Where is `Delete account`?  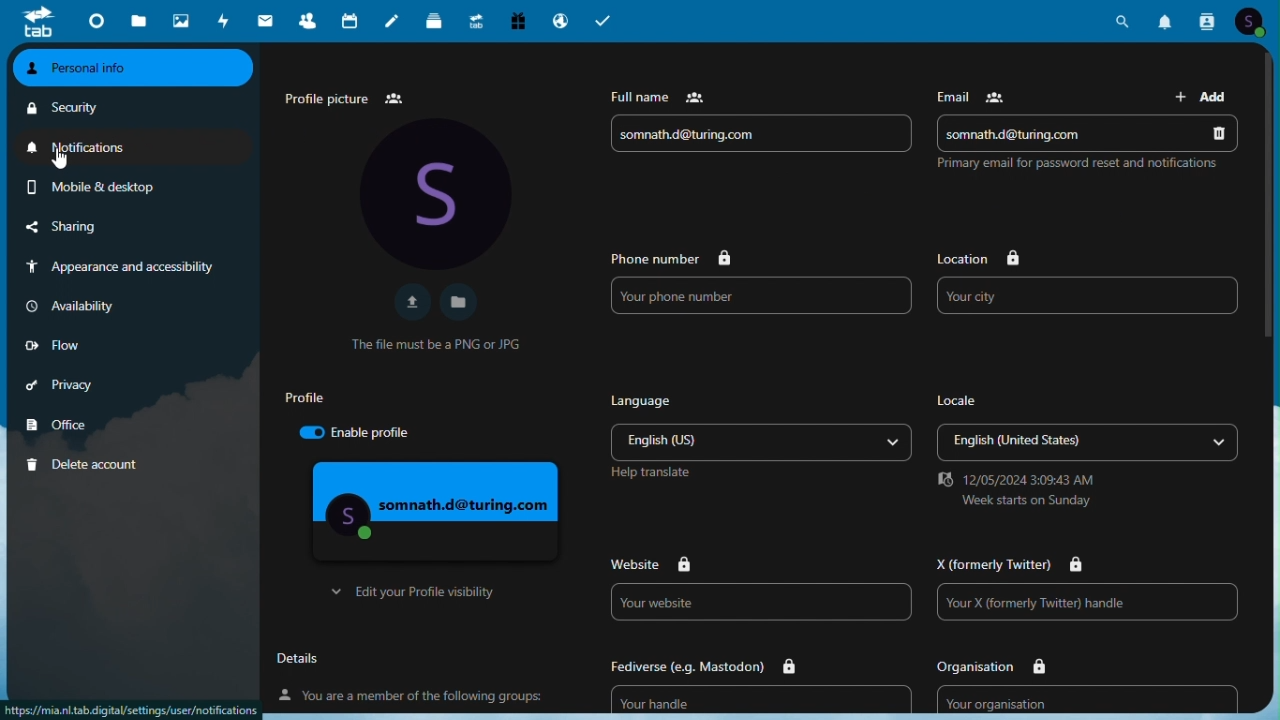 Delete account is located at coordinates (82, 462).